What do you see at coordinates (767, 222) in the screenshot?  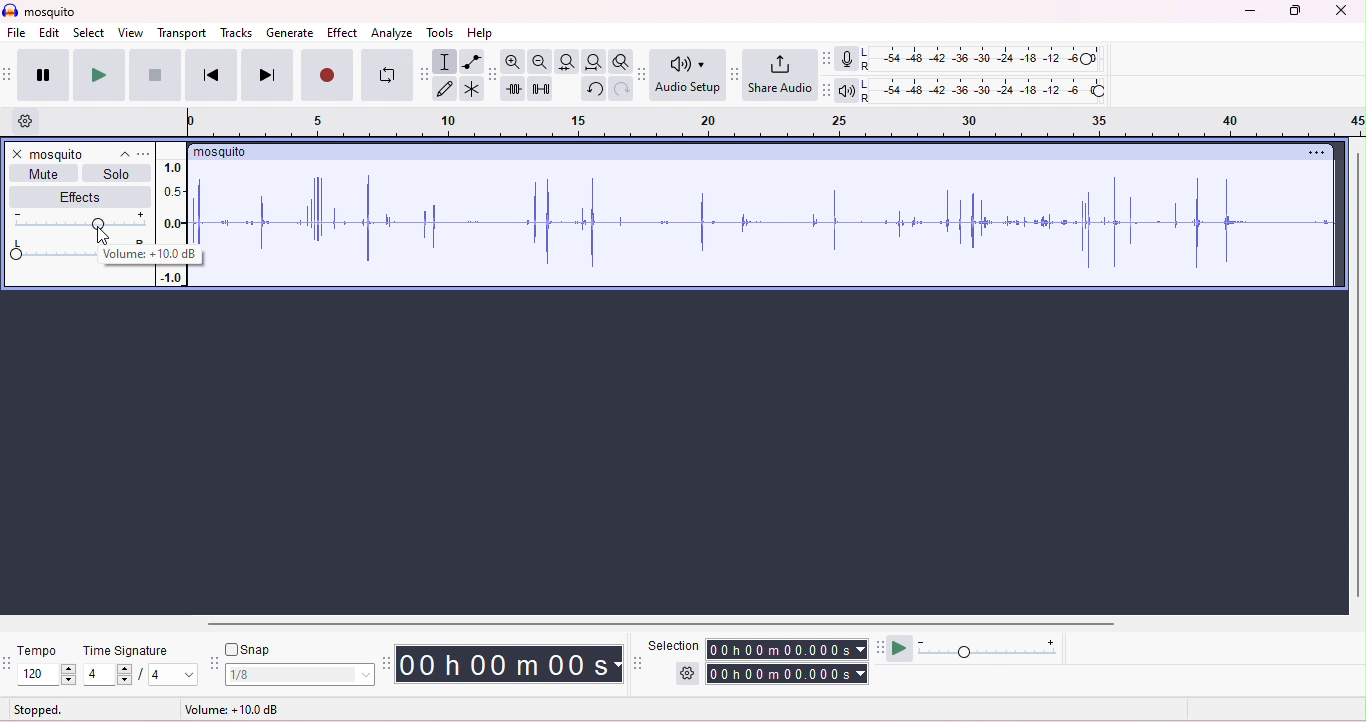 I see `waveform` at bounding box center [767, 222].